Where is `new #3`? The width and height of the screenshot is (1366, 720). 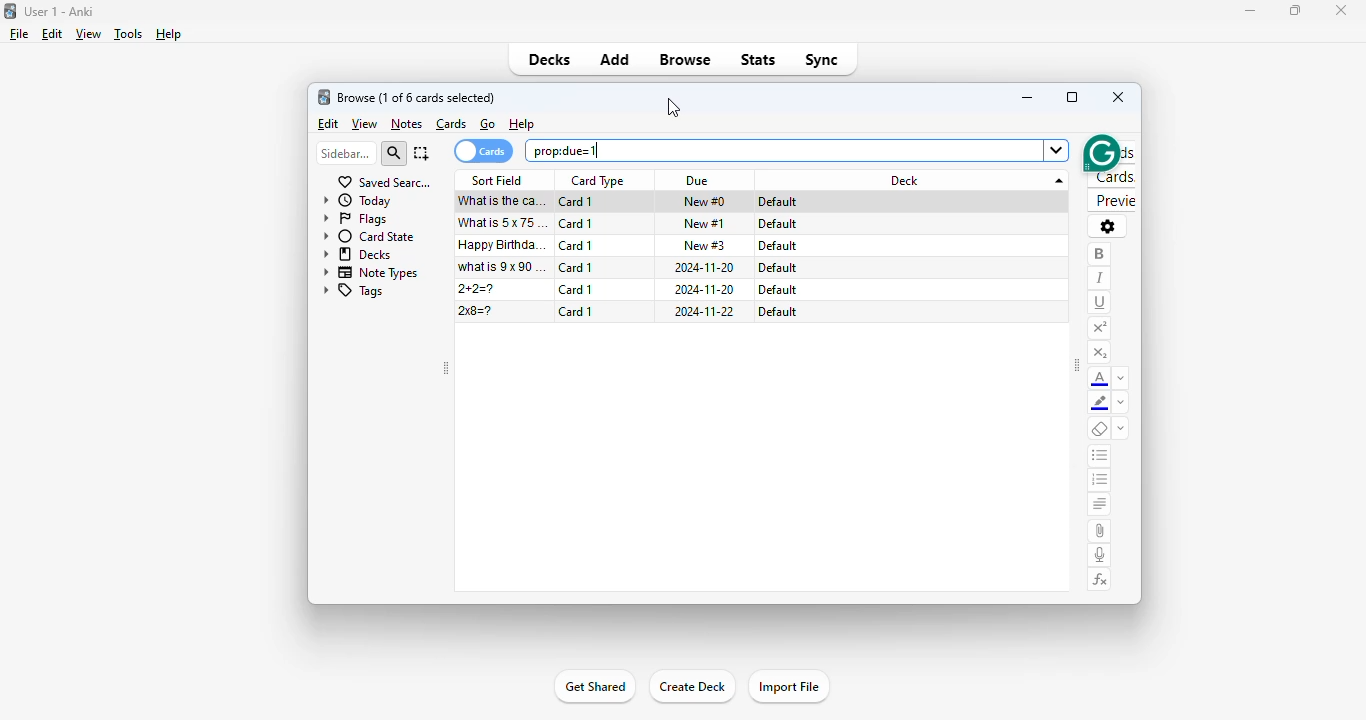 new #3 is located at coordinates (704, 245).